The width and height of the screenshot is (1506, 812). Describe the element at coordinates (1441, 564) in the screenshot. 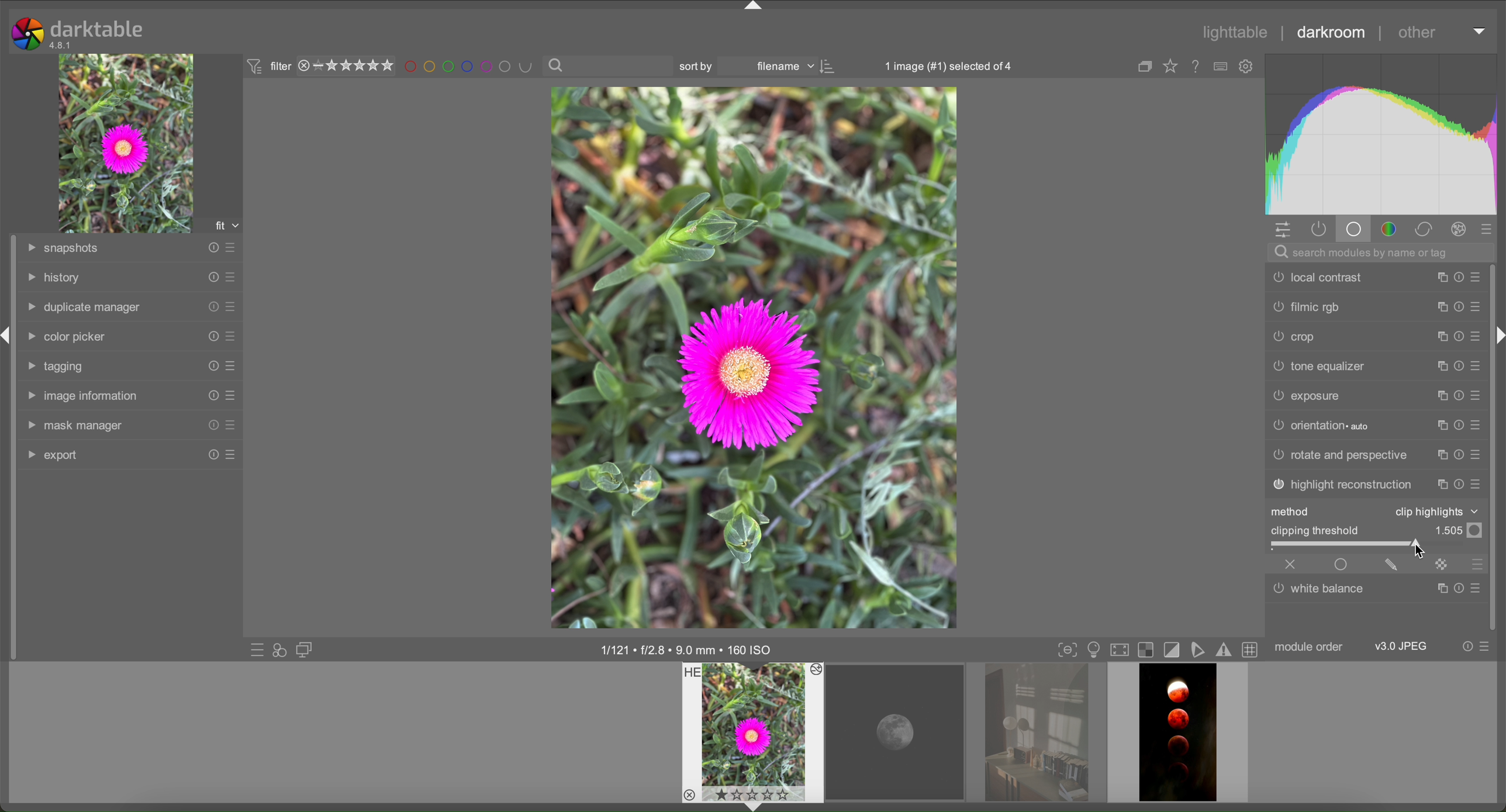

I see `mask` at that location.